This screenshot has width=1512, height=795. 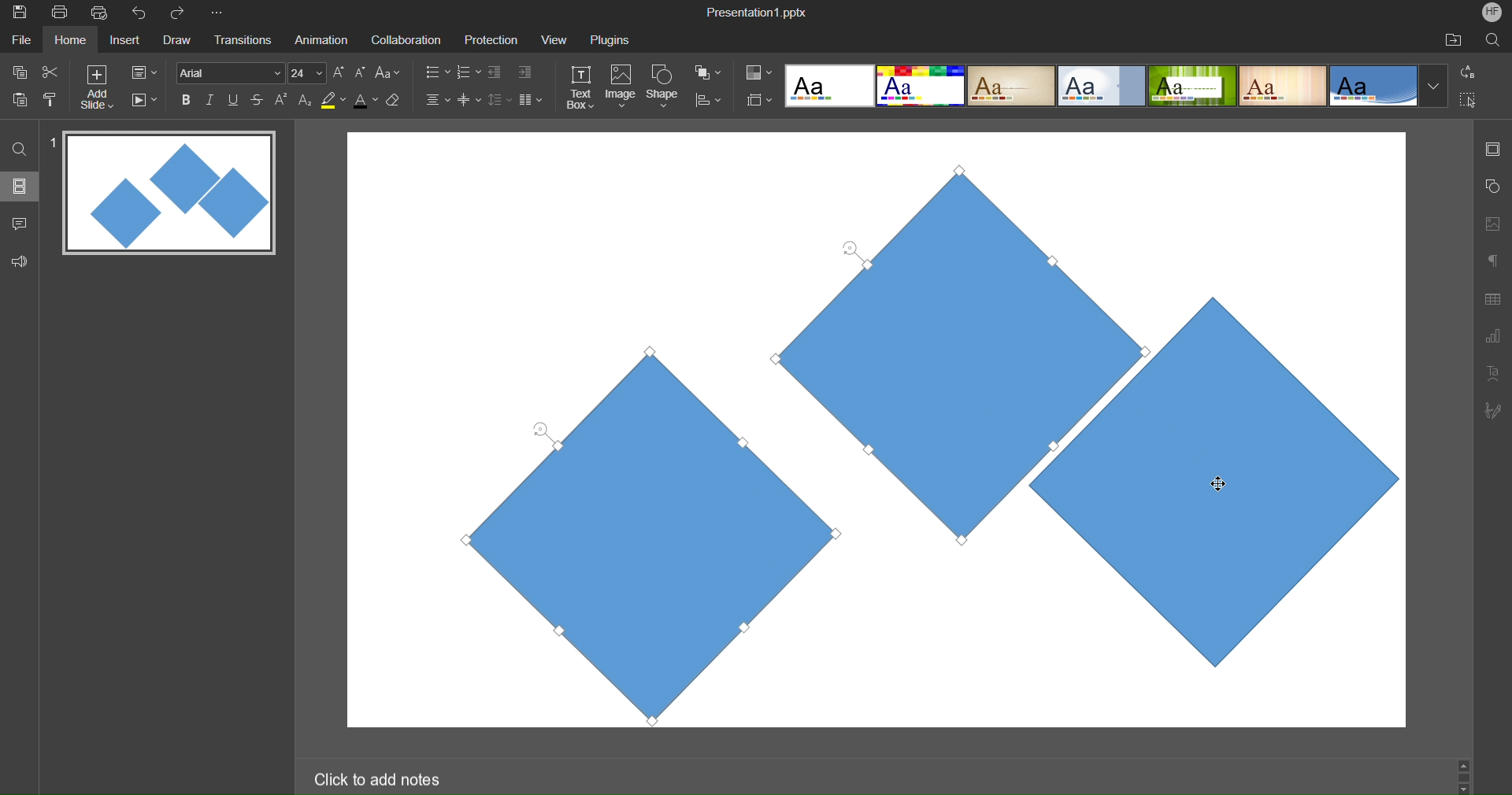 I want to click on Draw, so click(x=176, y=41).